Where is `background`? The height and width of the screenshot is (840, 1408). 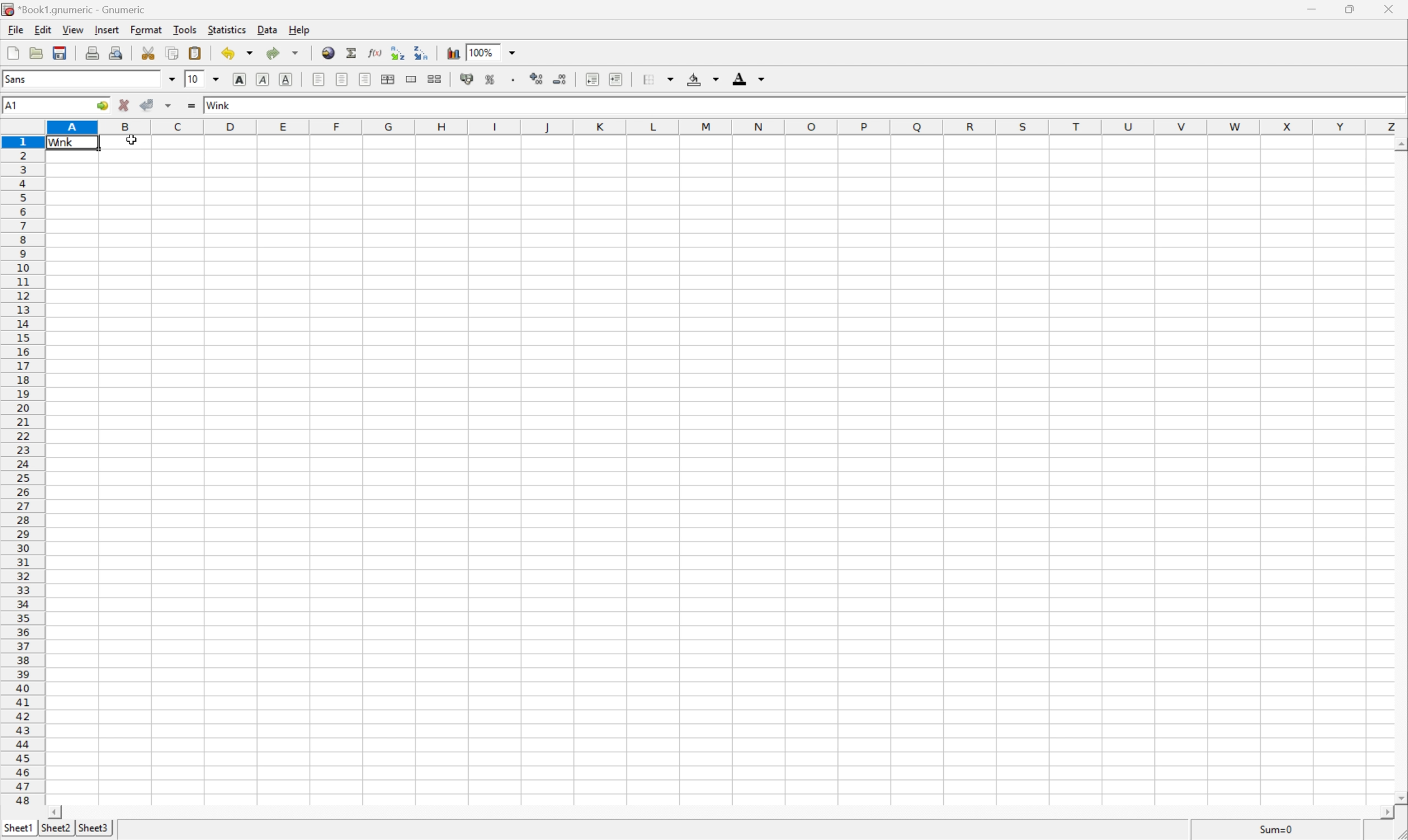
background is located at coordinates (703, 77).